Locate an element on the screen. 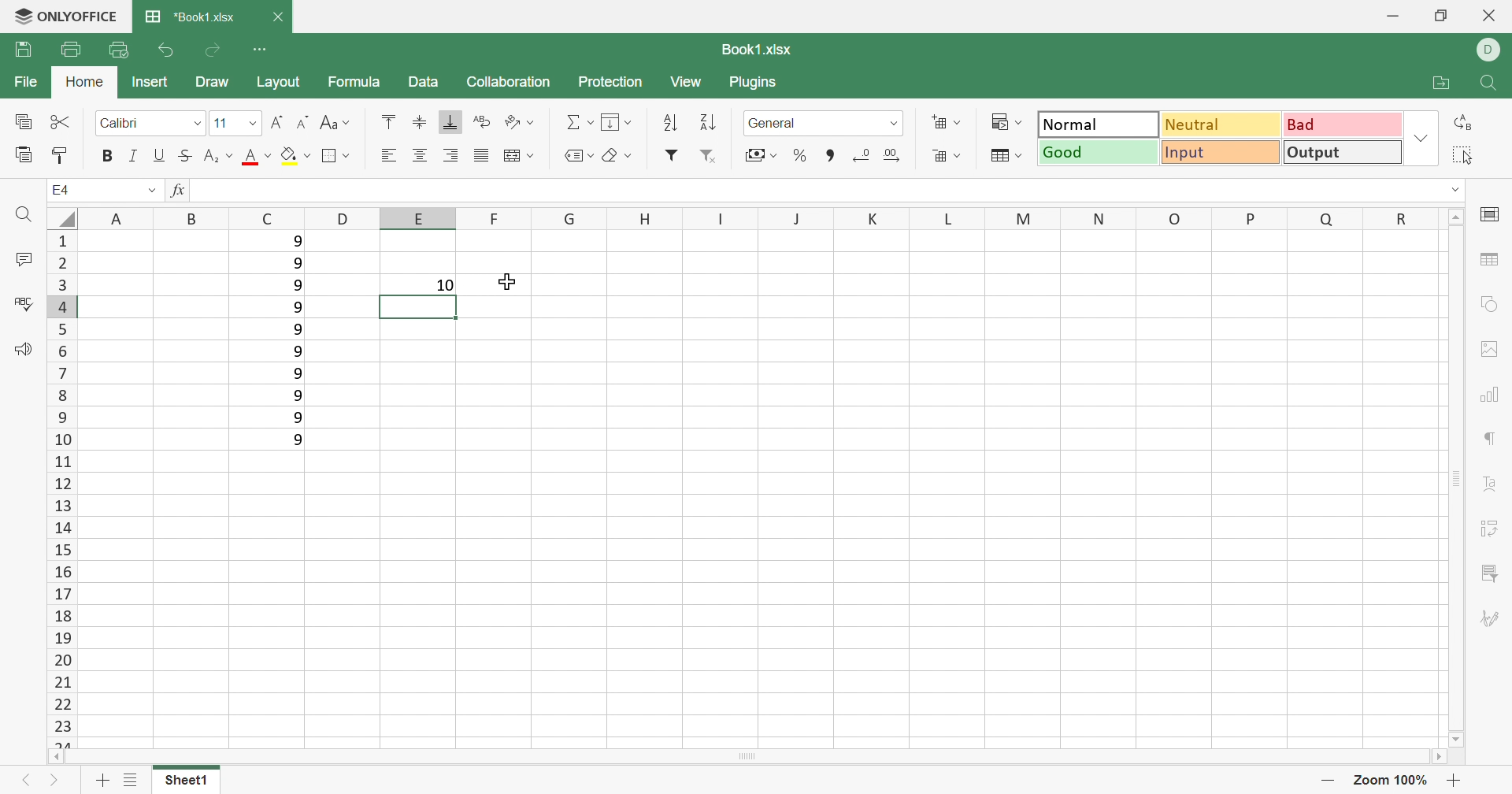 The image size is (1512, 794). E4 is located at coordinates (62, 192).